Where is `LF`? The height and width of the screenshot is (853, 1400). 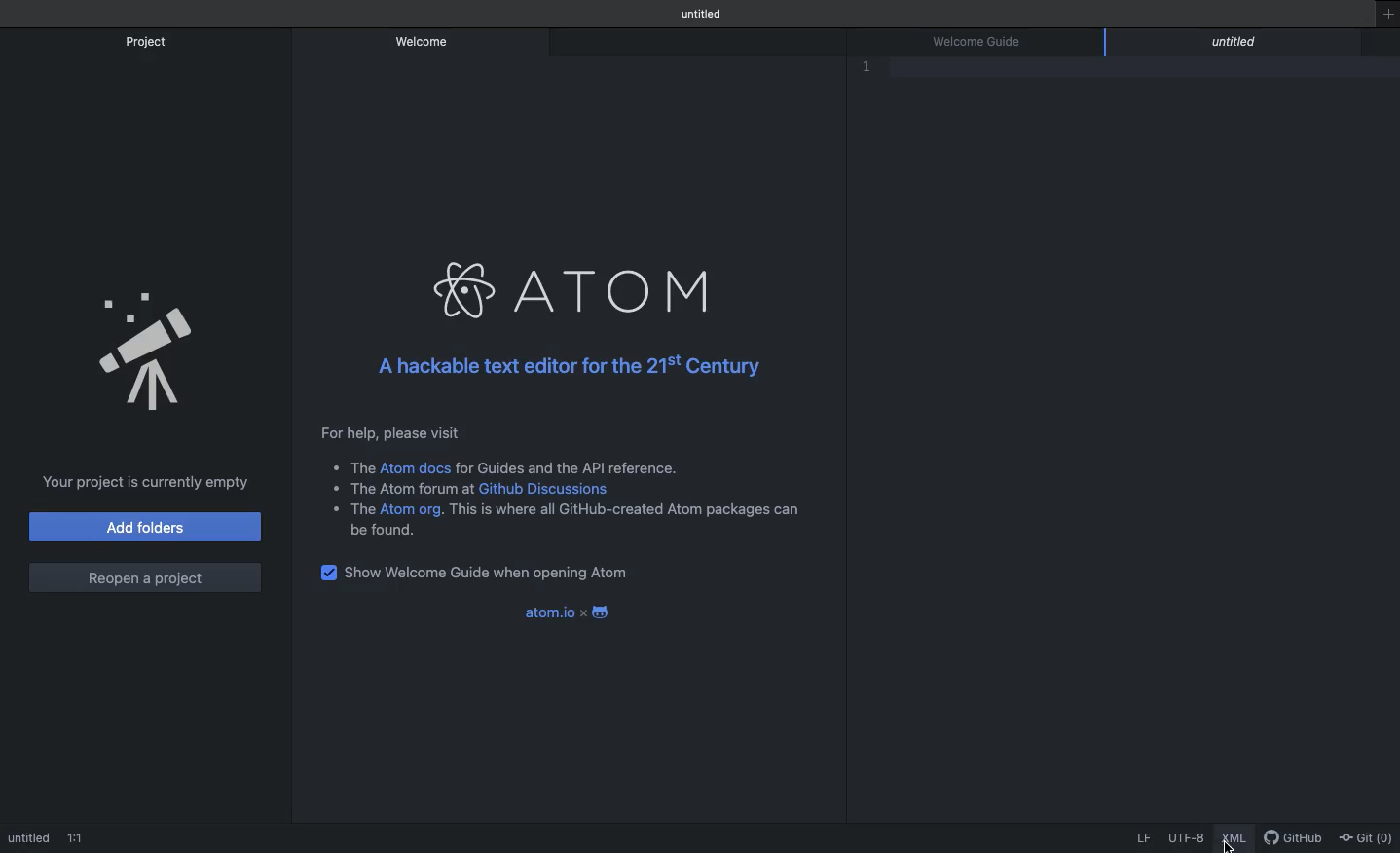 LF is located at coordinates (1143, 836).